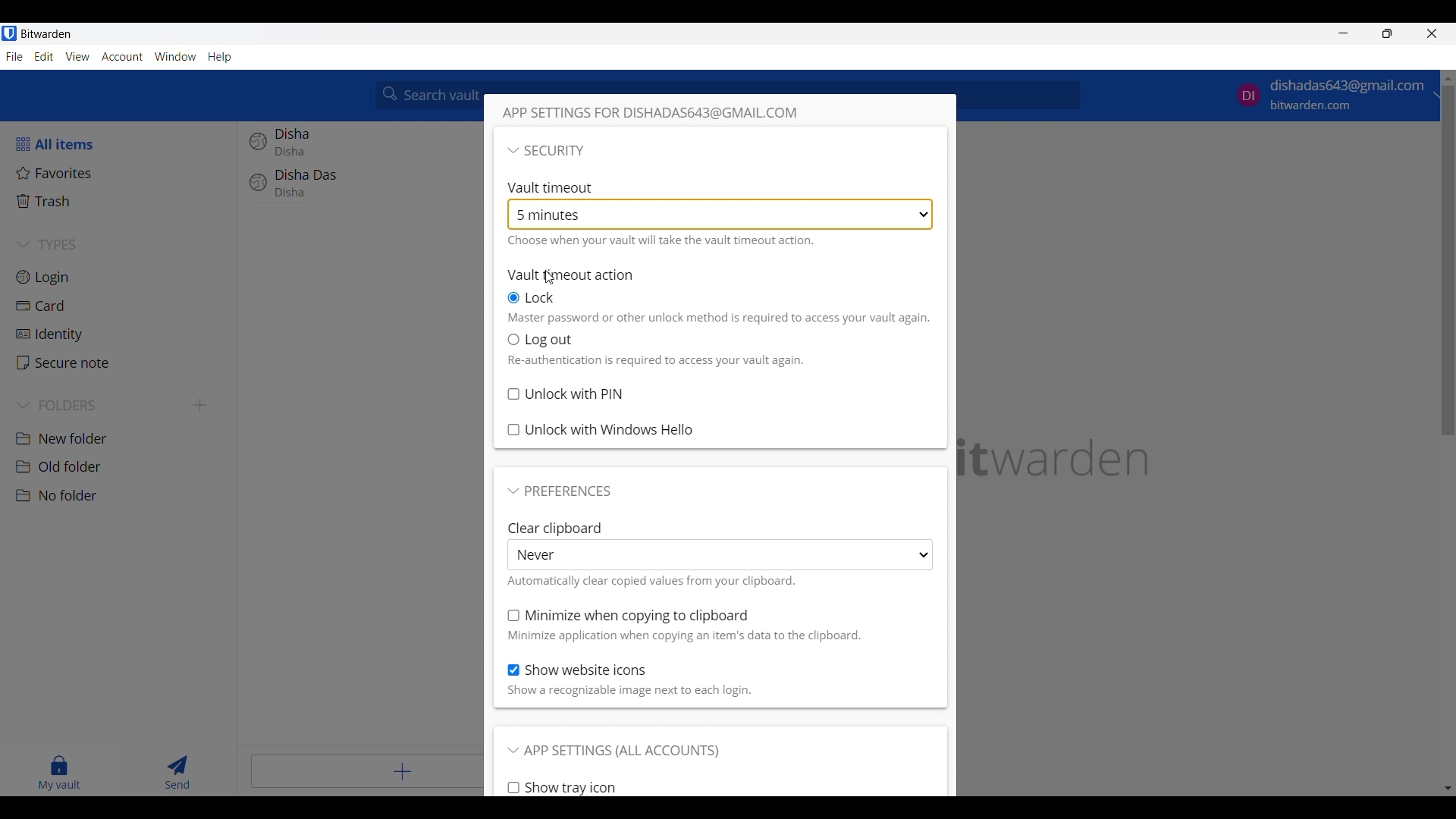 This screenshot has height=819, width=1456. Describe the element at coordinates (721, 215) in the screenshot. I see `Vault timeout enabled at 5 minutes` at that location.